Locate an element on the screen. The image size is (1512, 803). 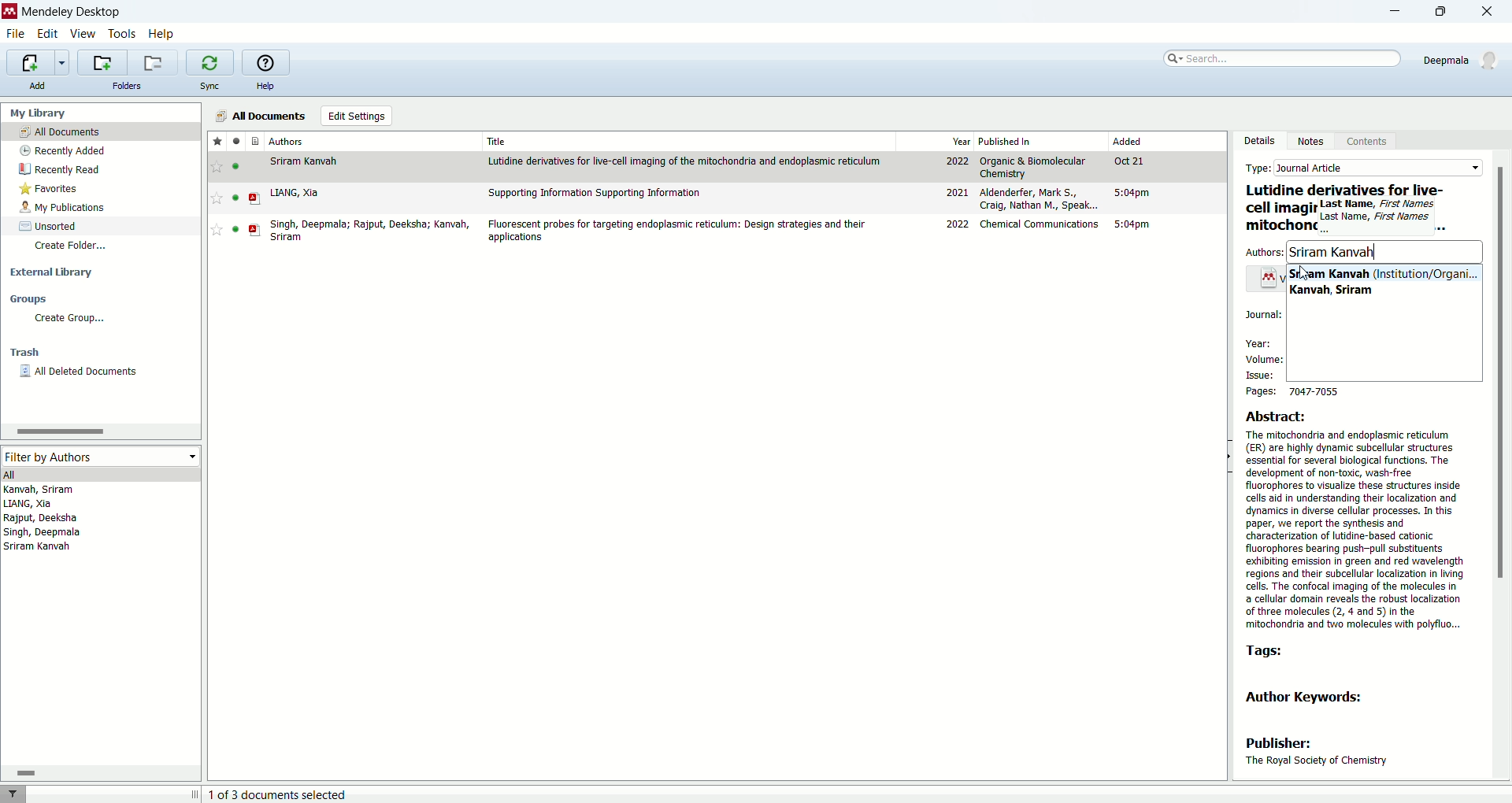
details is located at coordinates (1254, 143).